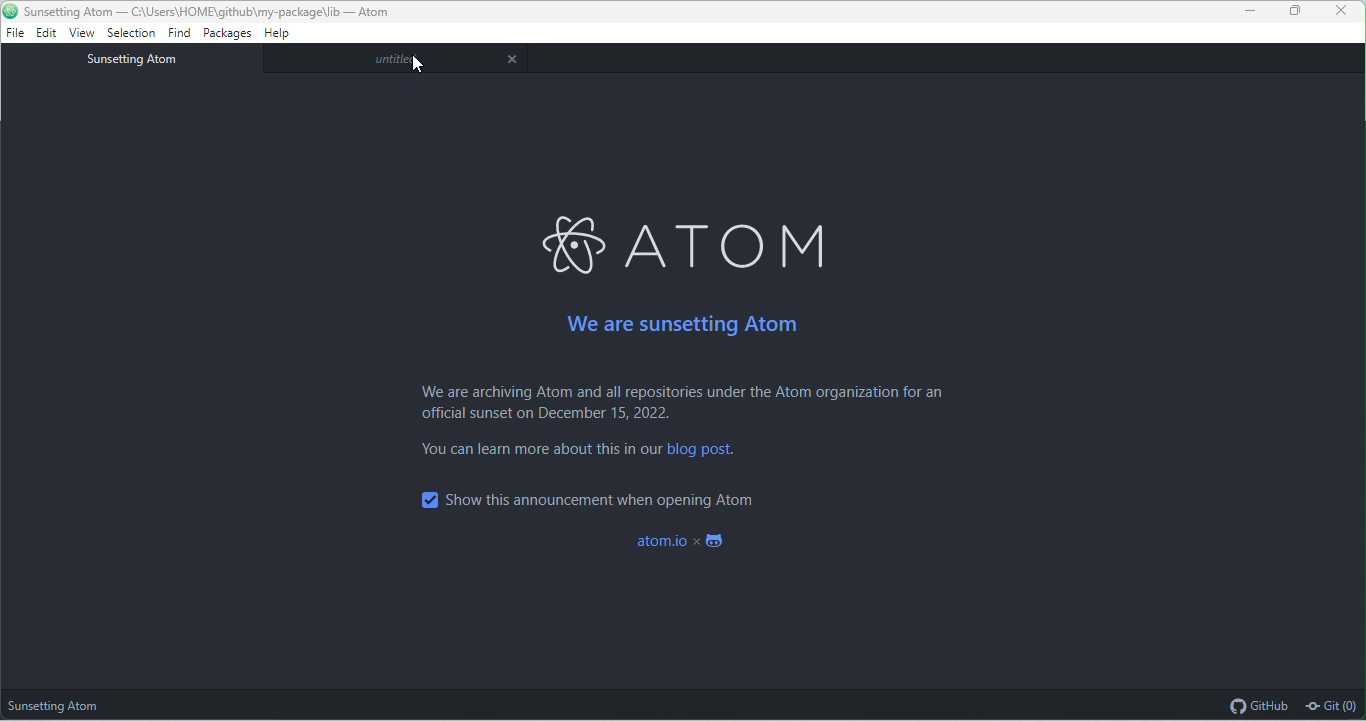 This screenshot has height=722, width=1366. What do you see at coordinates (1232, 707) in the screenshot?
I see `Github logo` at bounding box center [1232, 707].